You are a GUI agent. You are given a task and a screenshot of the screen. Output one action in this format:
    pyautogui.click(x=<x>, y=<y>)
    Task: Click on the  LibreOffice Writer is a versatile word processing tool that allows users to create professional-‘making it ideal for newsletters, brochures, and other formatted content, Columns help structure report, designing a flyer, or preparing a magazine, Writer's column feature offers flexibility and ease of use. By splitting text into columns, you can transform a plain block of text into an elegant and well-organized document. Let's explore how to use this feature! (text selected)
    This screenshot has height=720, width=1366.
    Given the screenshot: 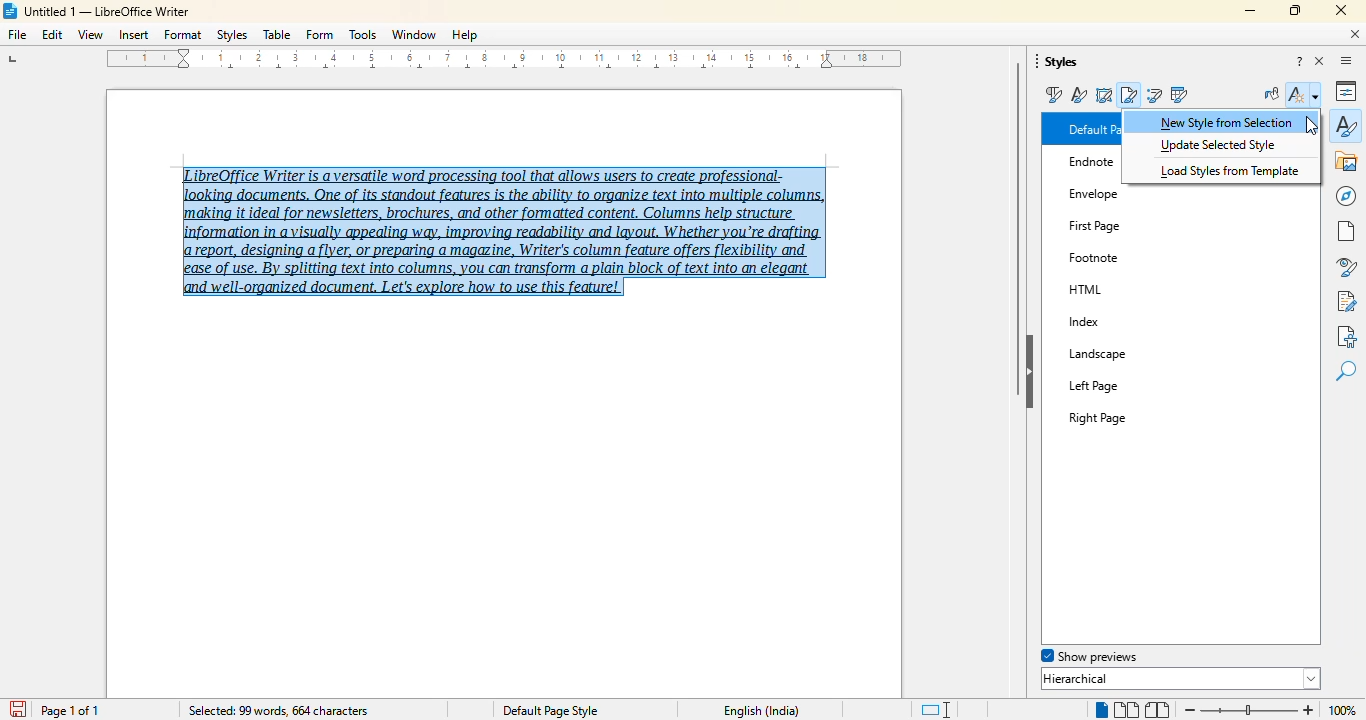 What is the action you would take?
    pyautogui.click(x=503, y=225)
    